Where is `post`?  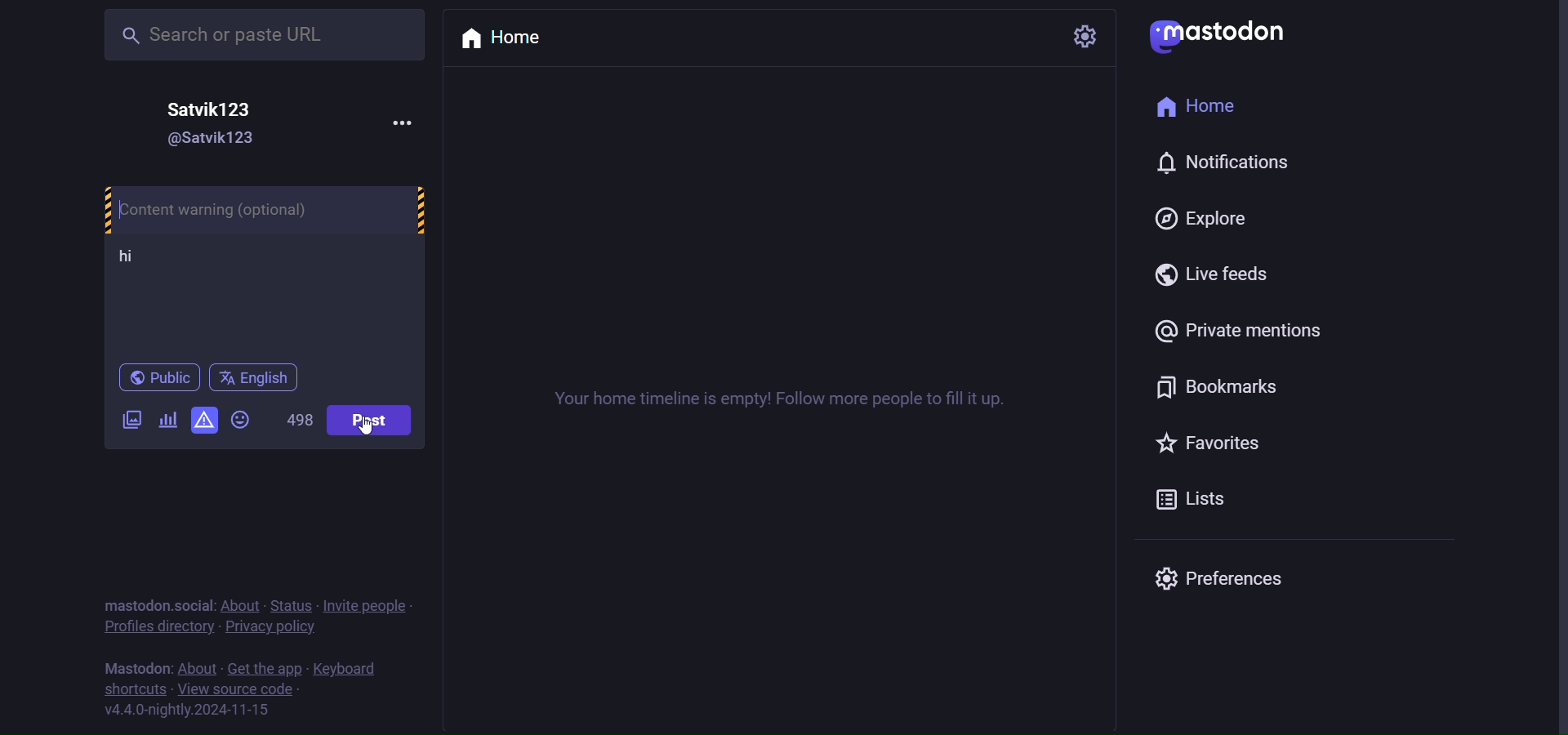 post is located at coordinates (375, 423).